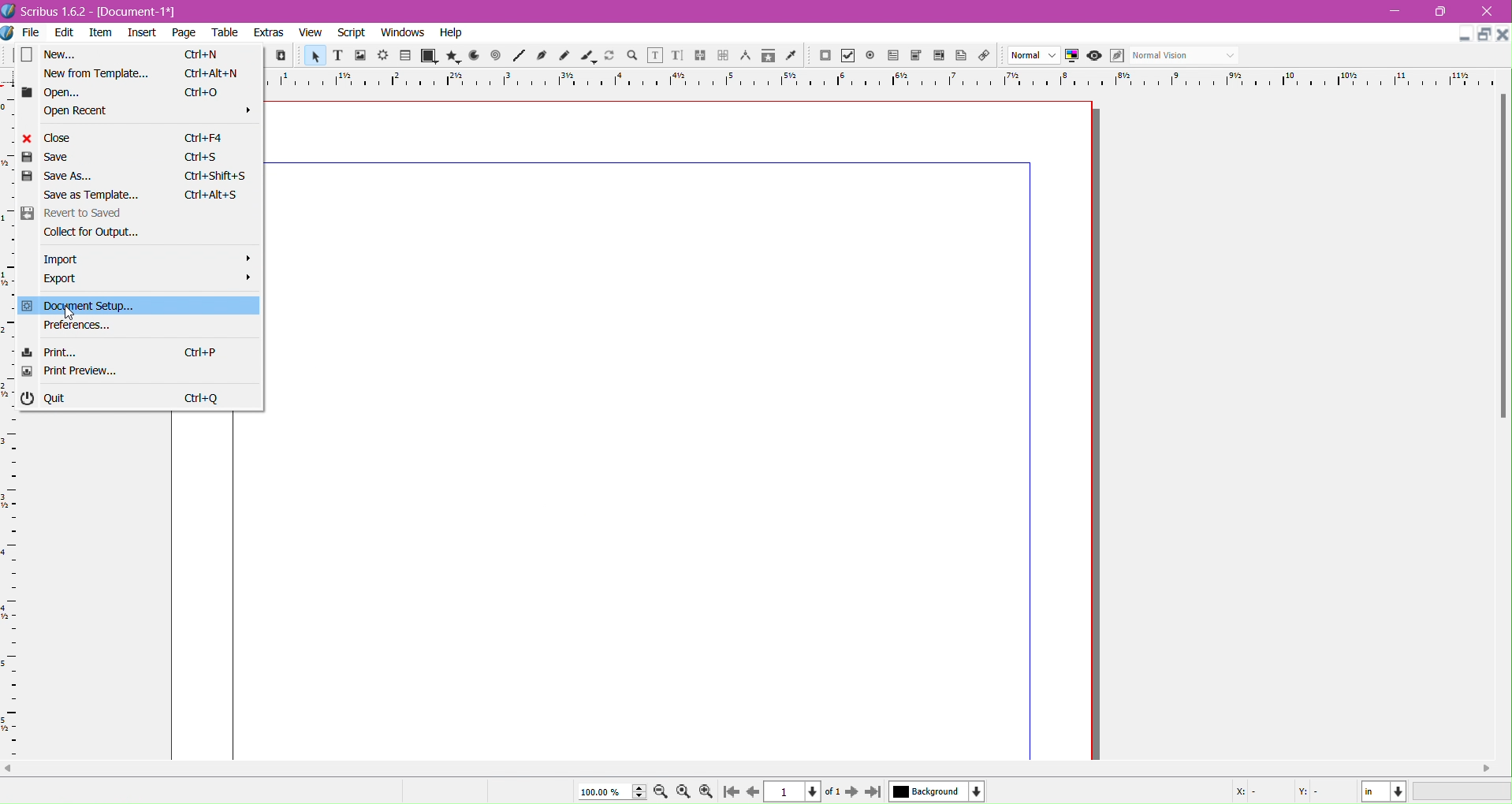 The image size is (1512, 804). I want to click on measuring scale, so click(881, 79).